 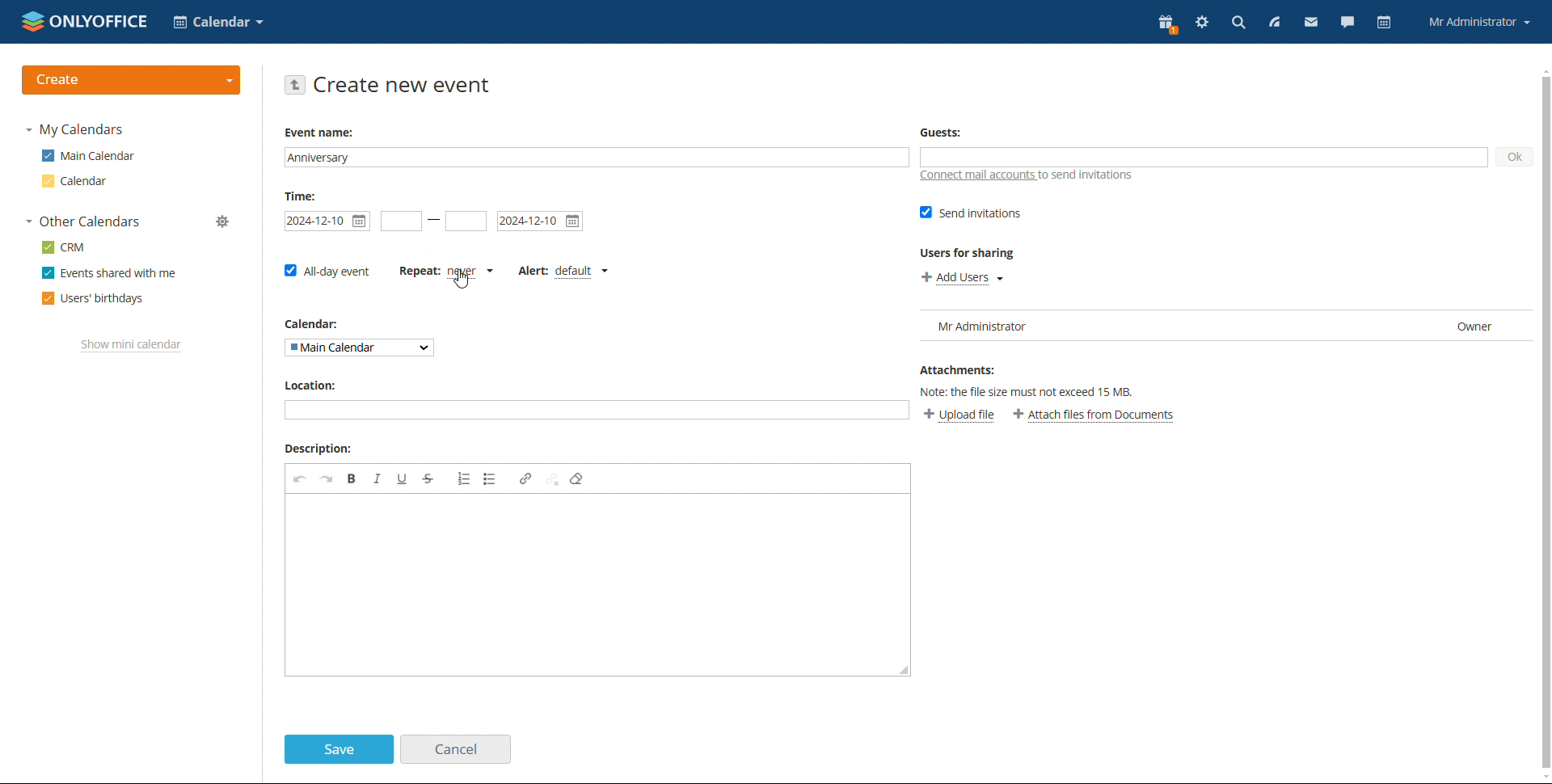 What do you see at coordinates (83, 221) in the screenshot?
I see `other calendars` at bounding box center [83, 221].